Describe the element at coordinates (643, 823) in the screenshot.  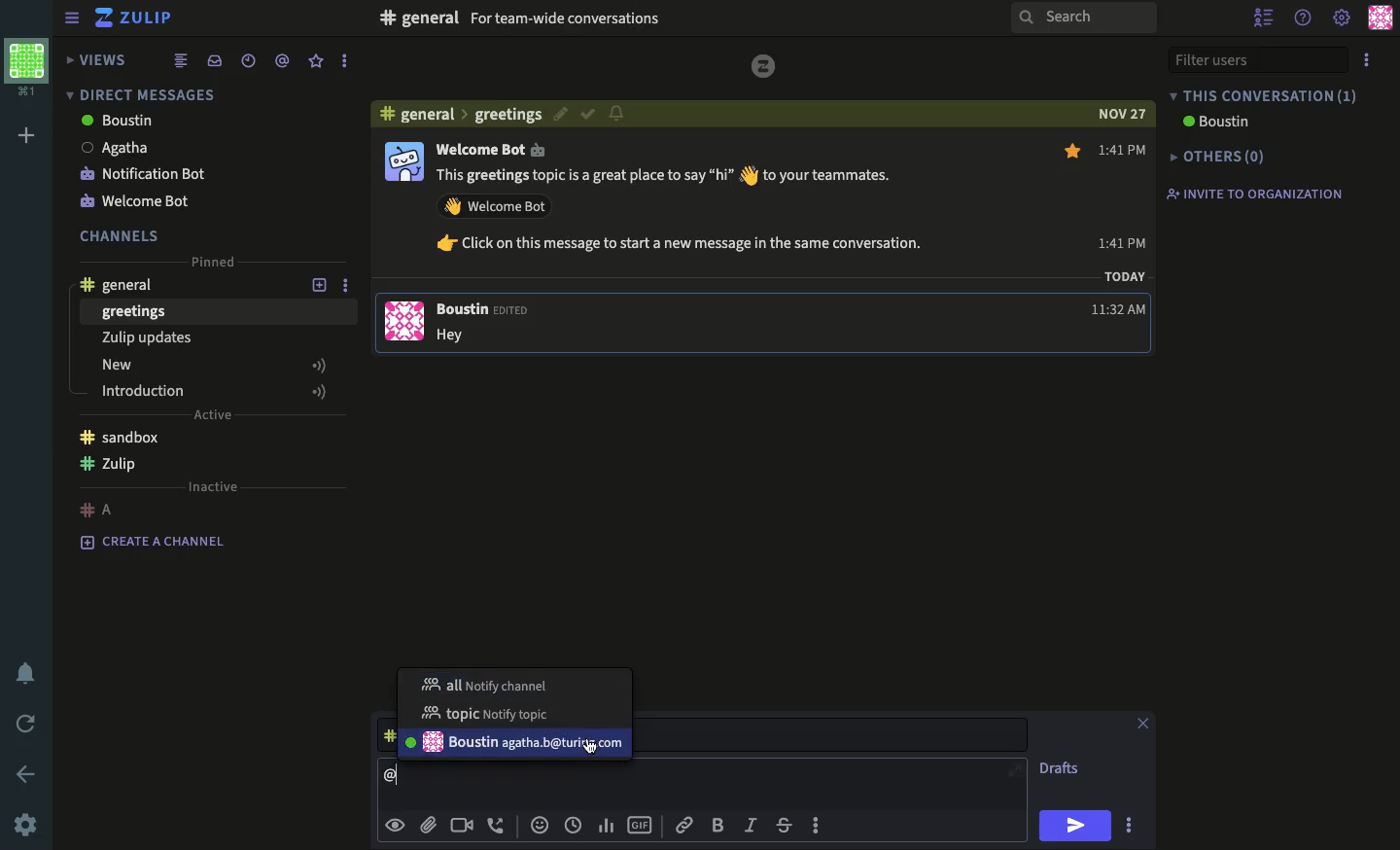
I see `gif` at that location.